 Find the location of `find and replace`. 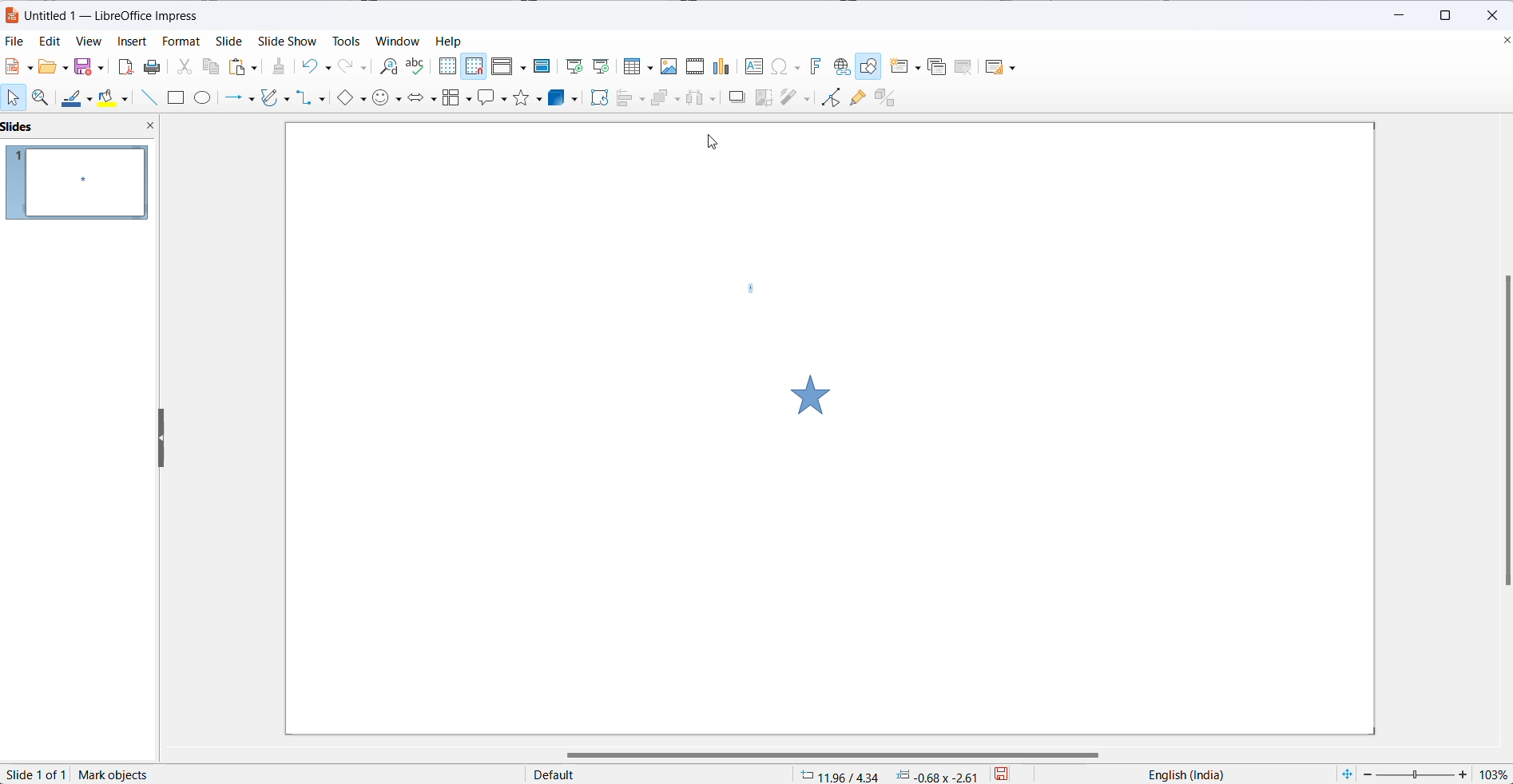

find and replace is located at coordinates (387, 68).